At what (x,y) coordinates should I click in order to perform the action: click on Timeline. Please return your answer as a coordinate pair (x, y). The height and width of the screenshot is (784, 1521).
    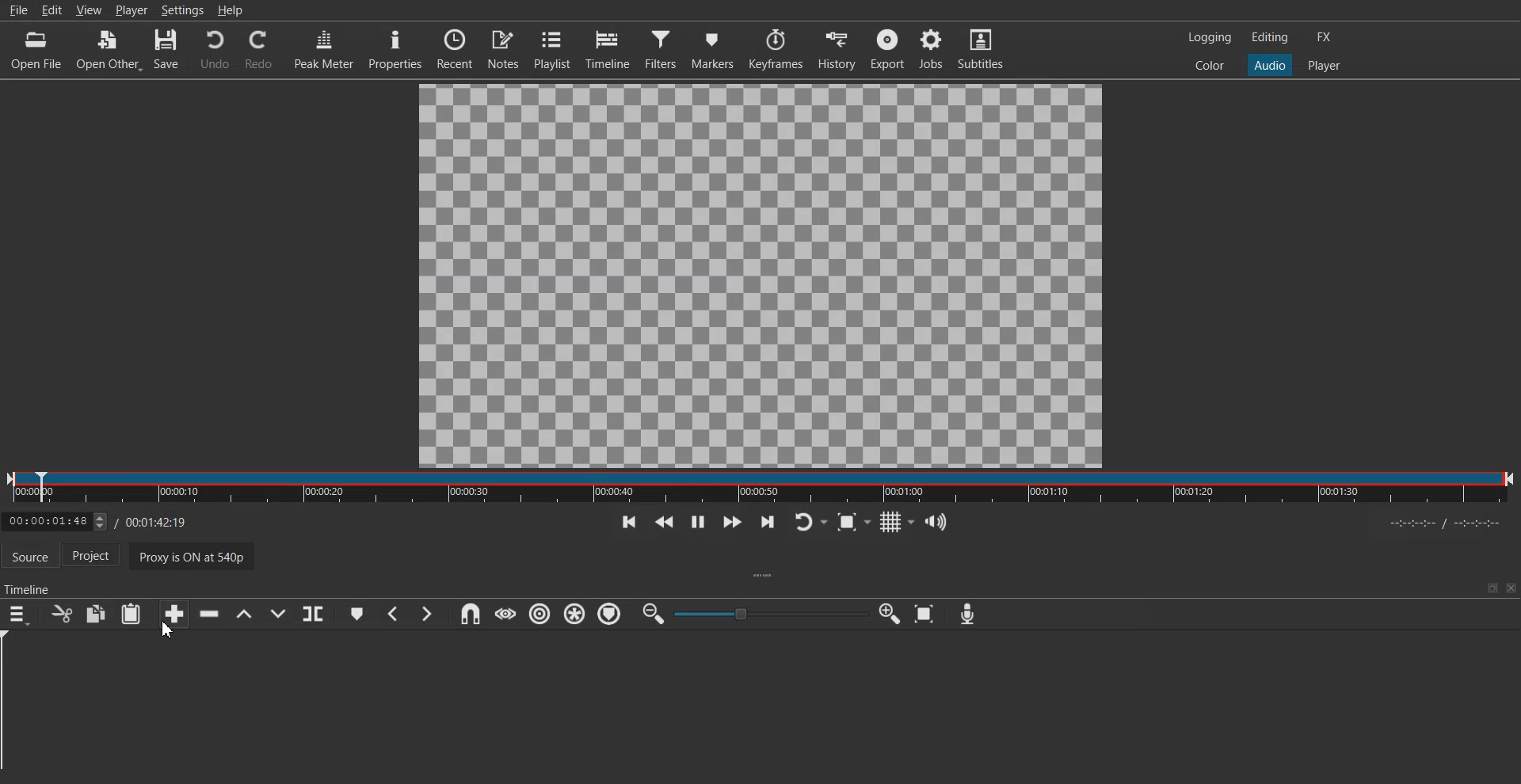
    Looking at the image, I should click on (612, 48).